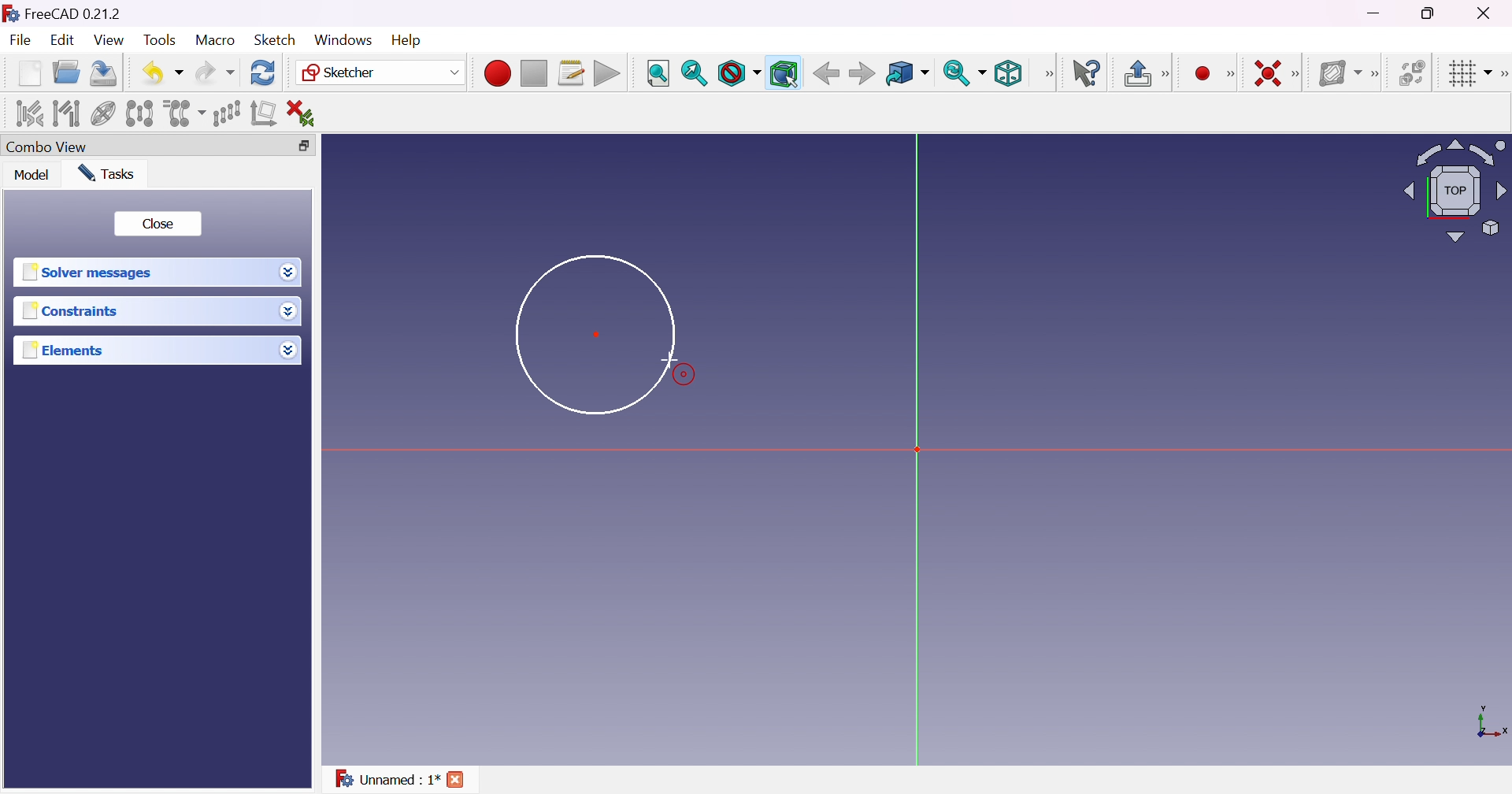  What do you see at coordinates (1377, 75) in the screenshot?
I see `Sketcher -spline tools` at bounding box center [1377, 75].